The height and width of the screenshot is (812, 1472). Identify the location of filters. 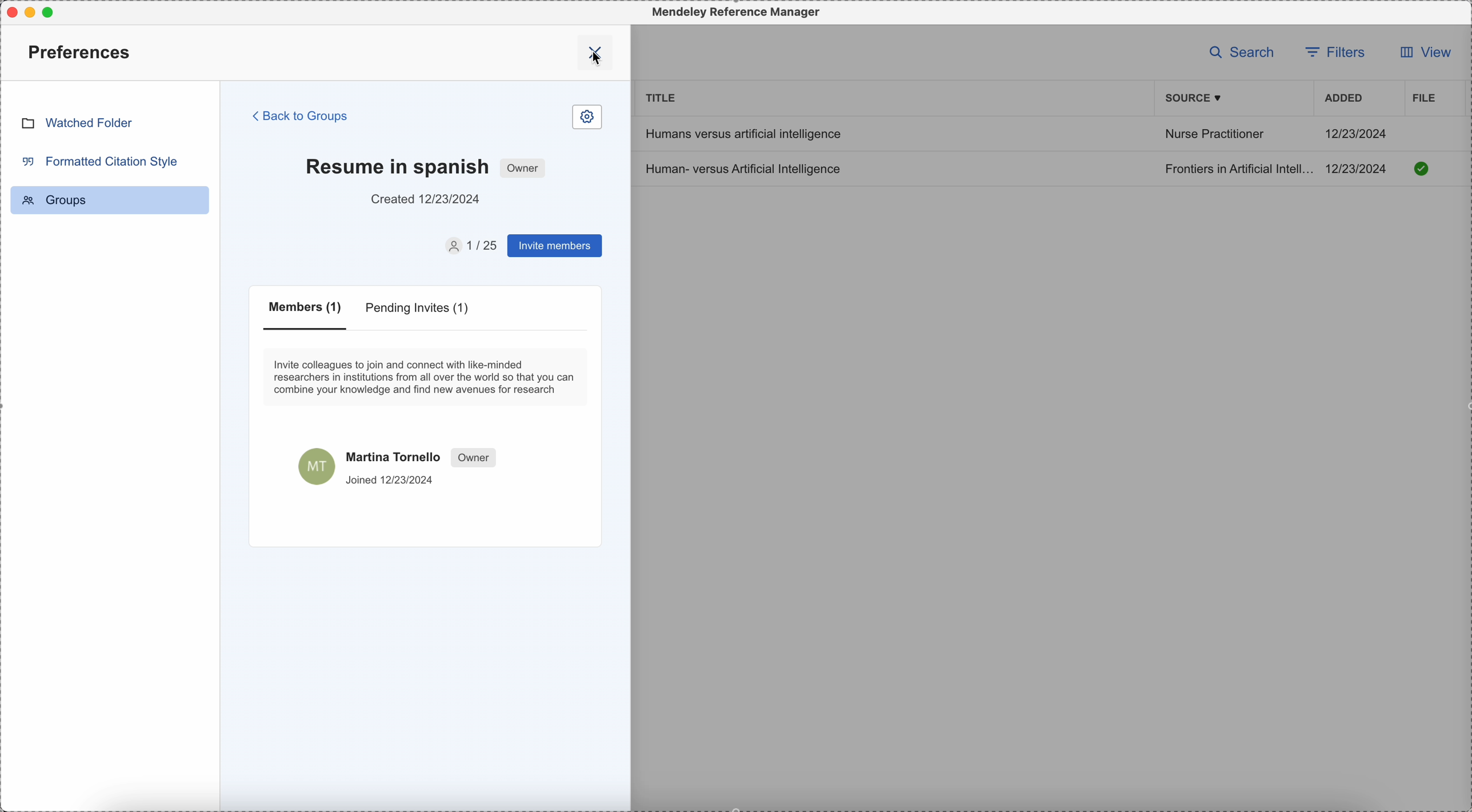
(1338, 51).